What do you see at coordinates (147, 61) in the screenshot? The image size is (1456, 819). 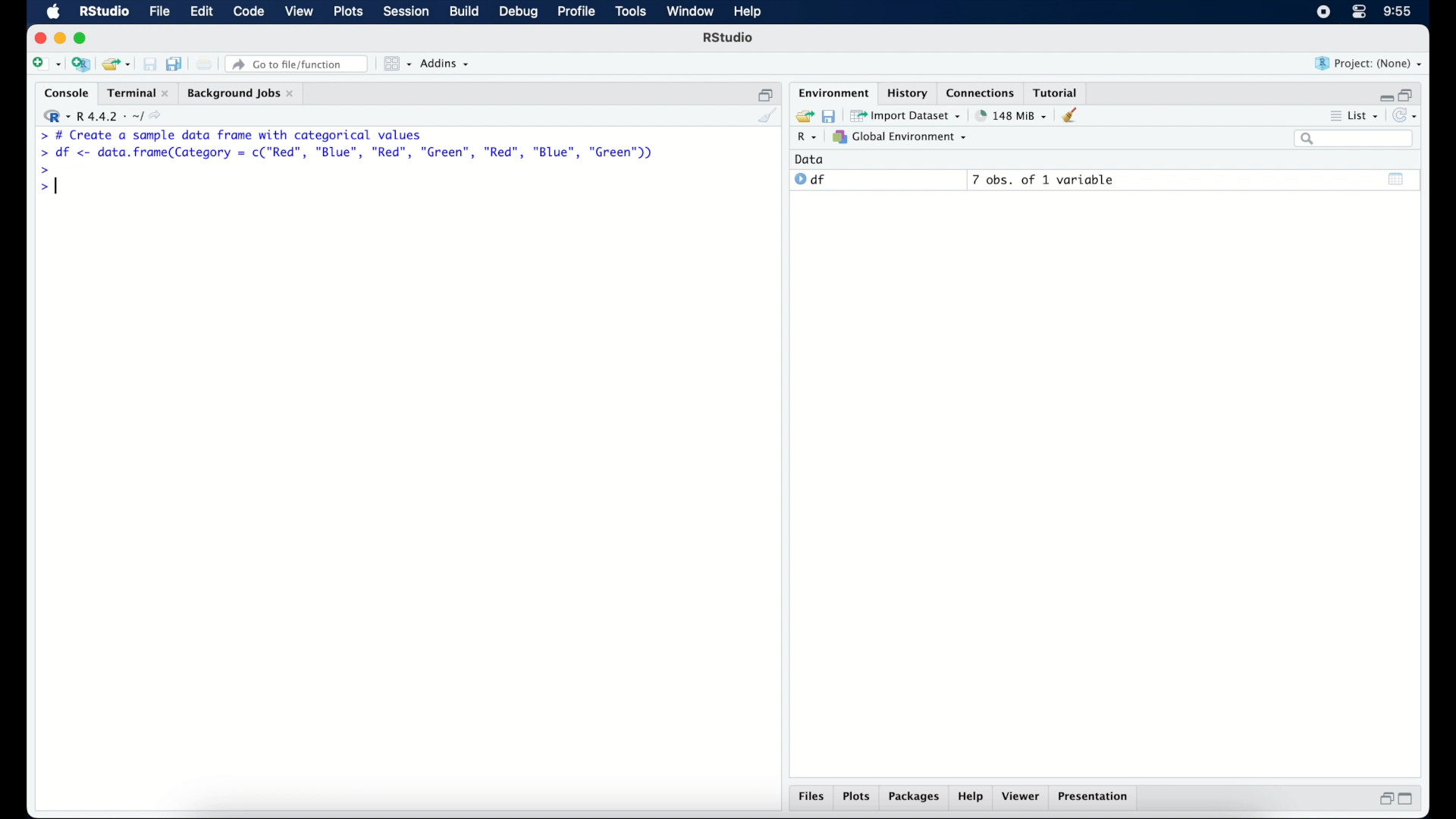 I see `save` at bounding box center [147, 61].